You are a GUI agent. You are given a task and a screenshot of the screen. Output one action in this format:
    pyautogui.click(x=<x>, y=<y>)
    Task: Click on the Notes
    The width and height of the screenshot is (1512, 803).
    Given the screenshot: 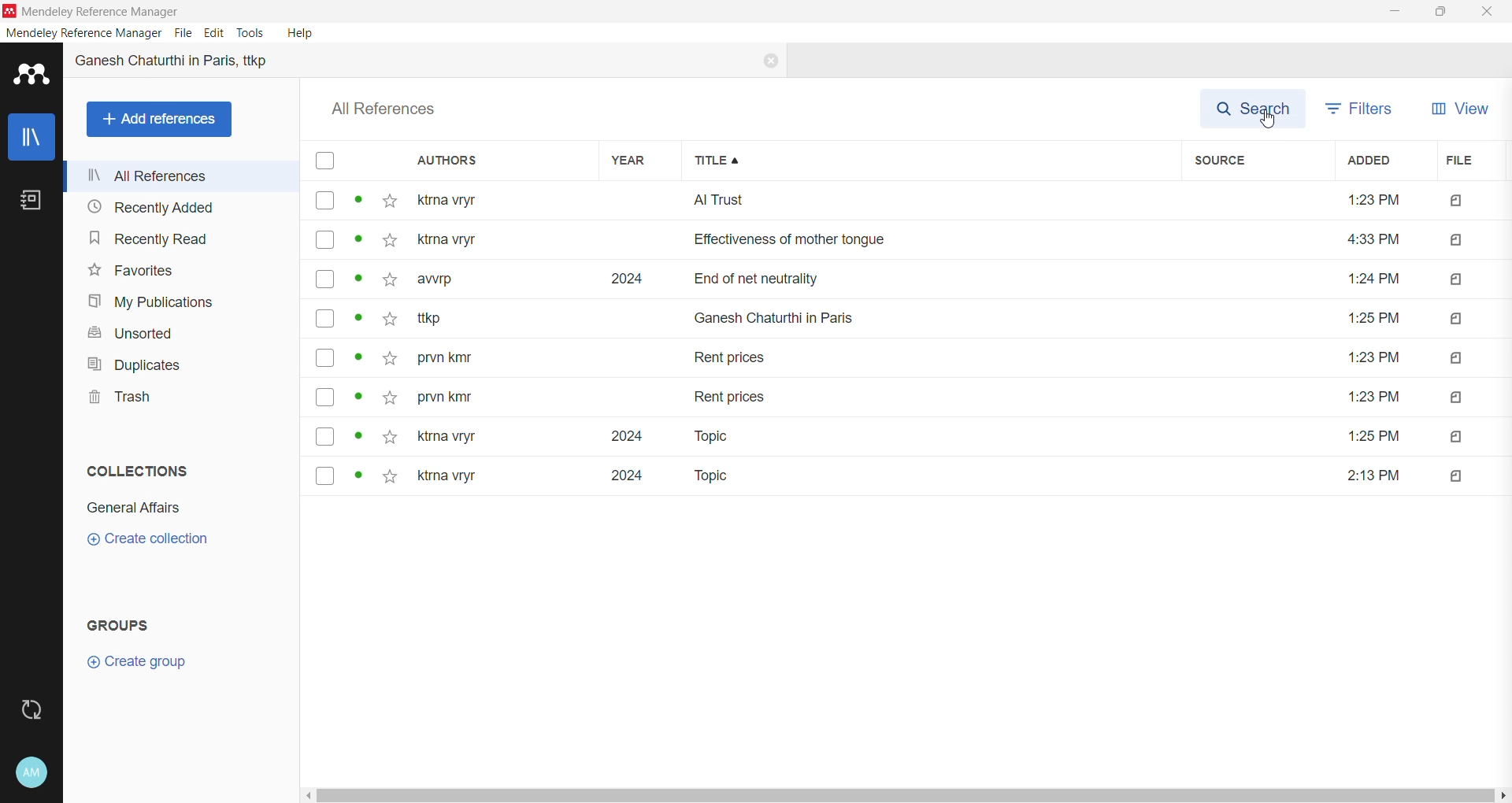 What is the action you would take?
    pyautogui.click(x=31, y=202)
    